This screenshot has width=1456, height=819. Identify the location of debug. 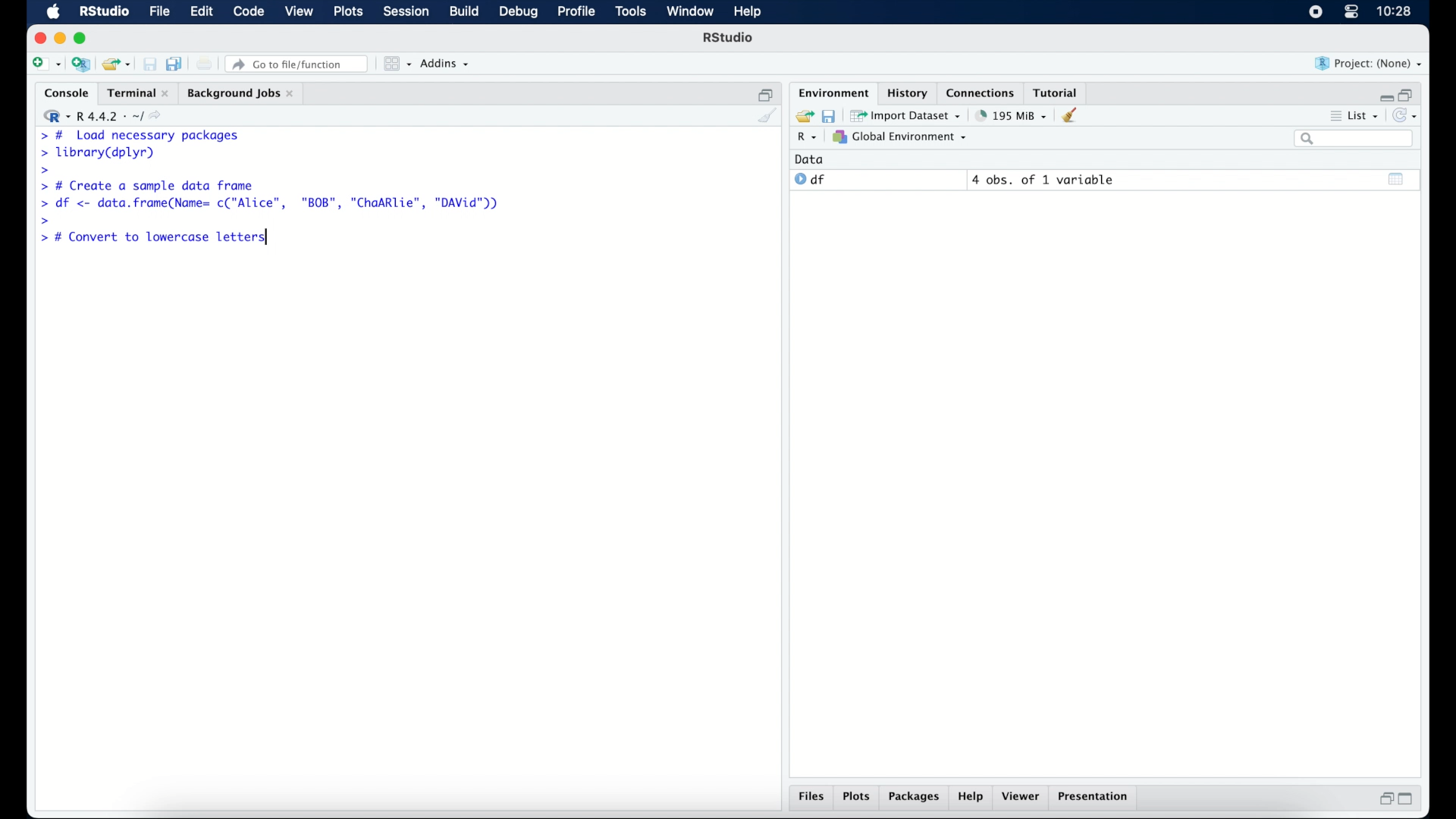
(519, 13).